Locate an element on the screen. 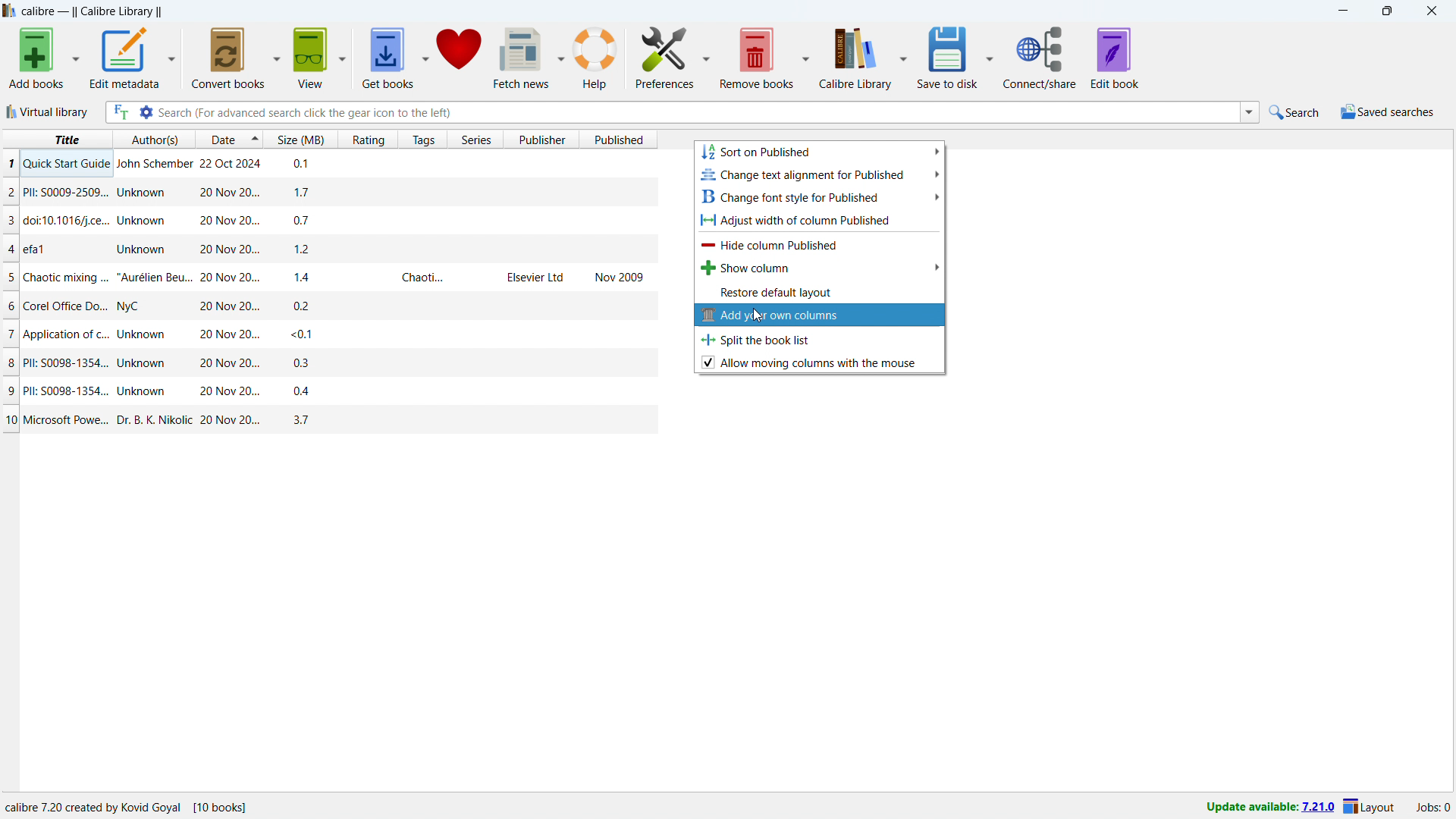 The image size is (1456, 819). adjust width of column published is located at coordinates (821, 219).